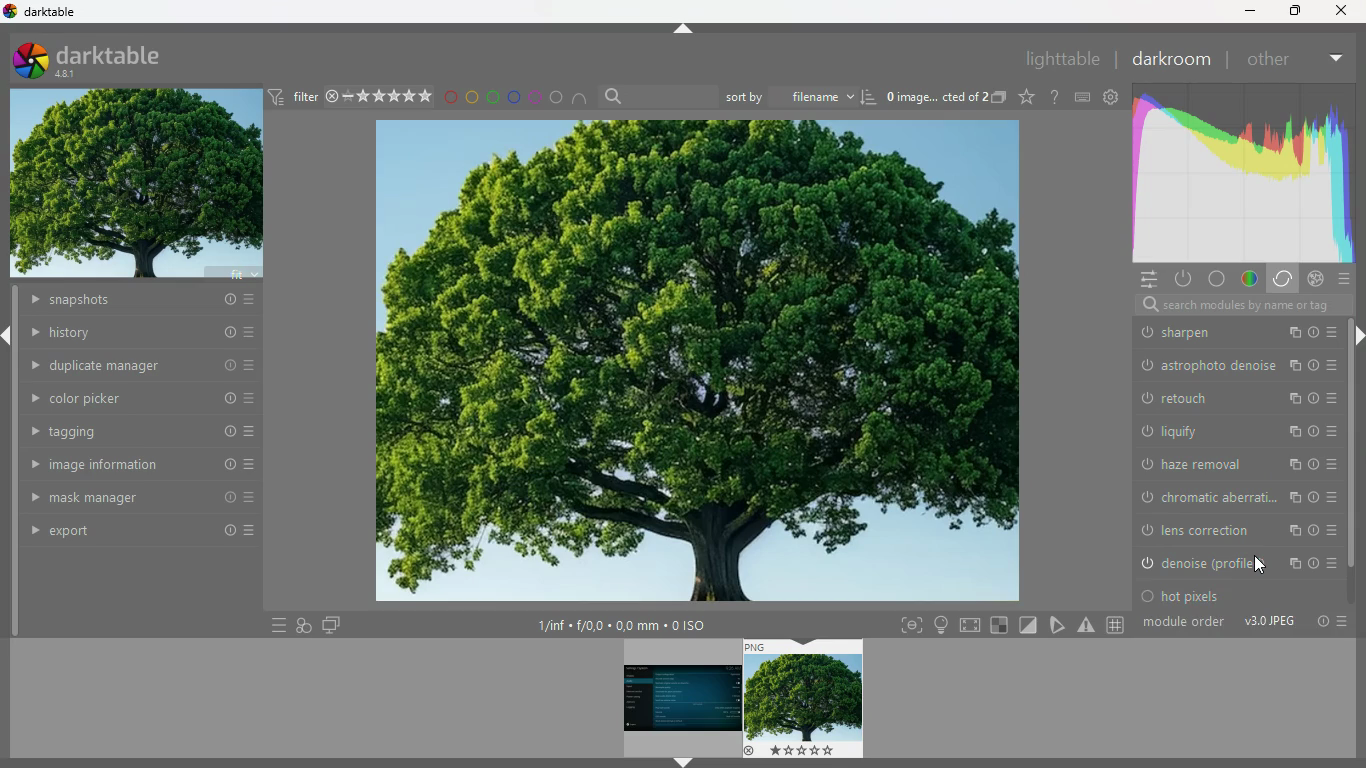  I want to click on correct, so click(1245, 170).